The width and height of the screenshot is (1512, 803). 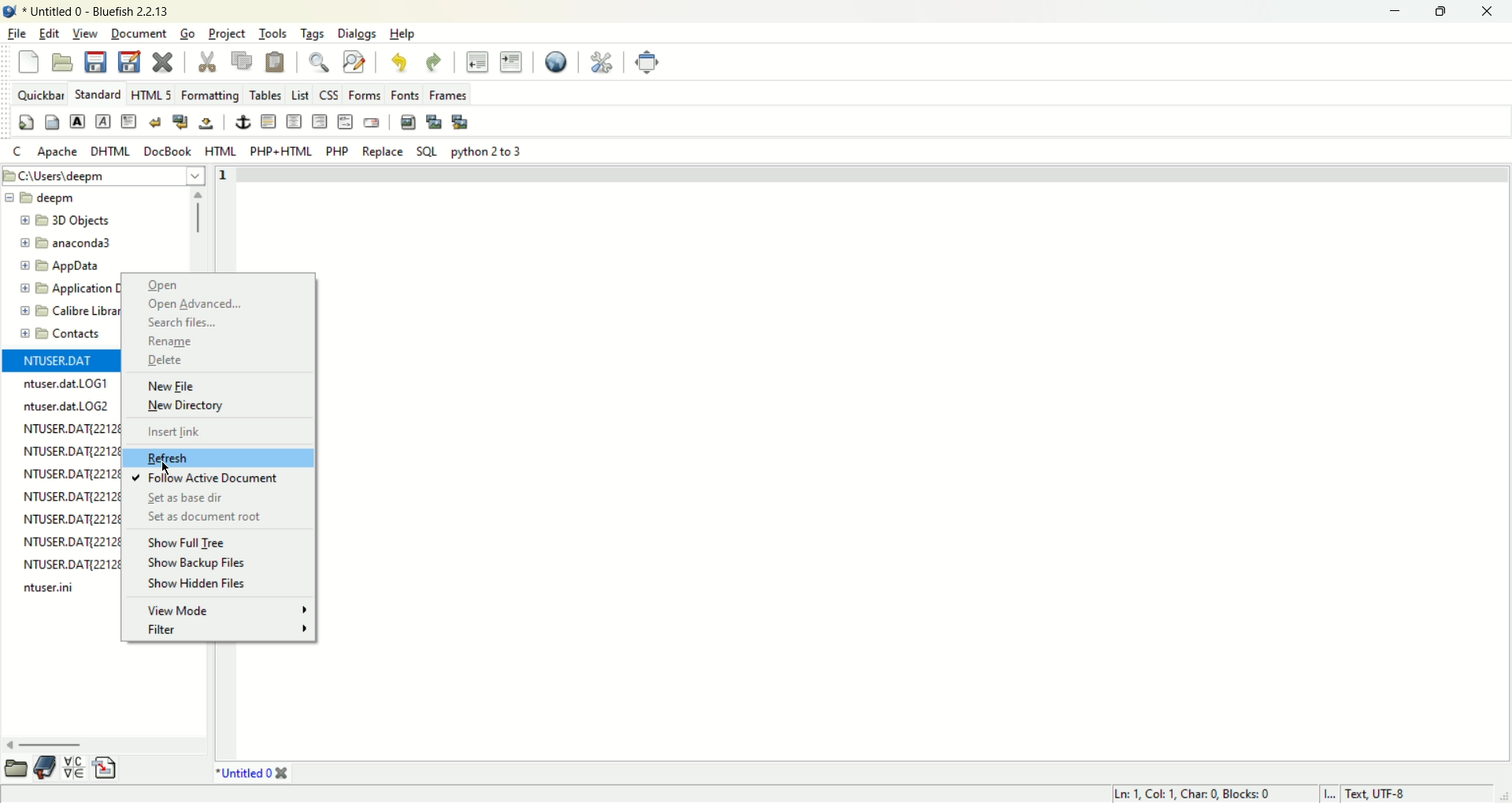 I want to click on file browser, so click(x=18, y=769).